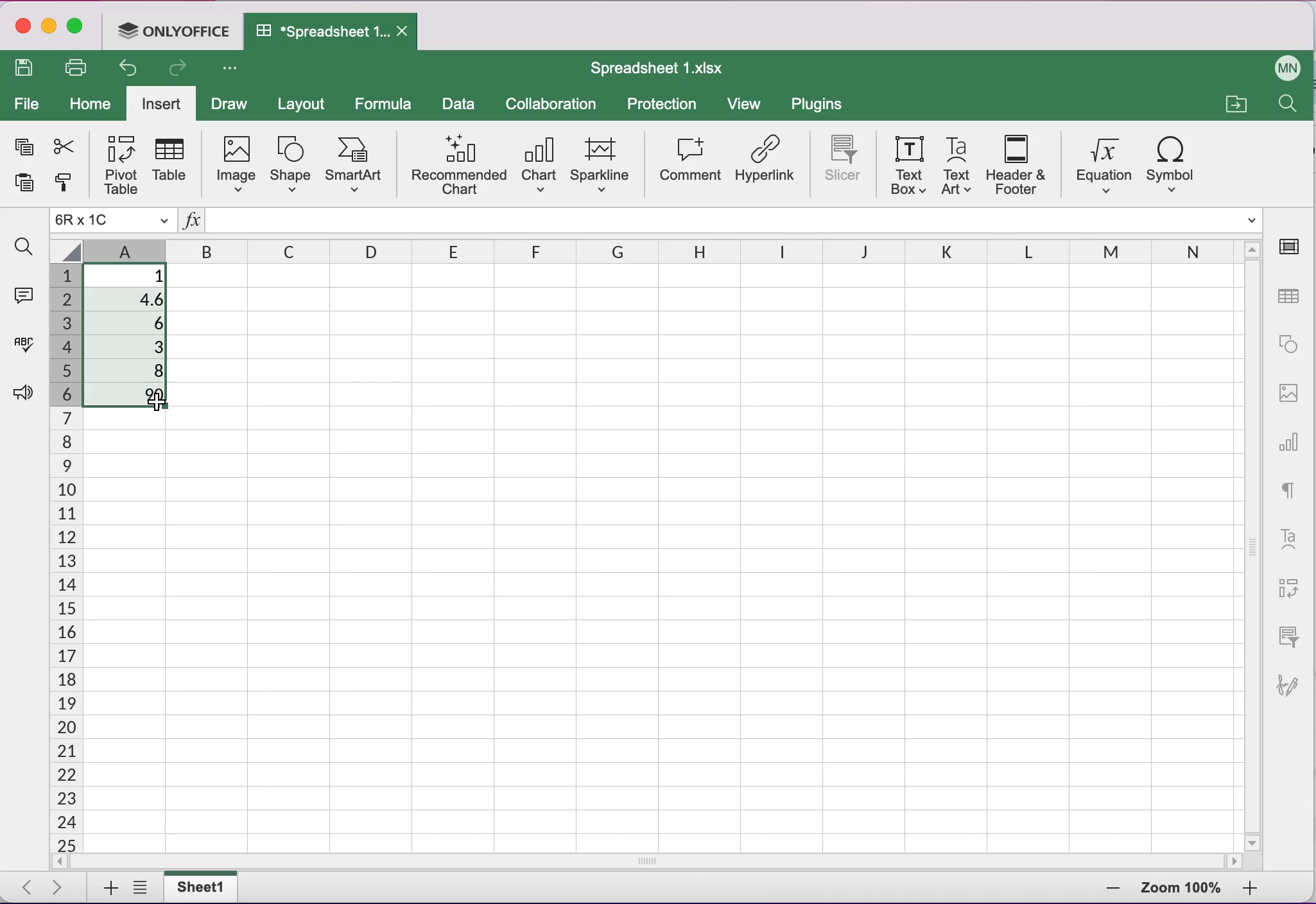 This screenshot has width=1316, height=904. I want to click on close, so click(22, 31).